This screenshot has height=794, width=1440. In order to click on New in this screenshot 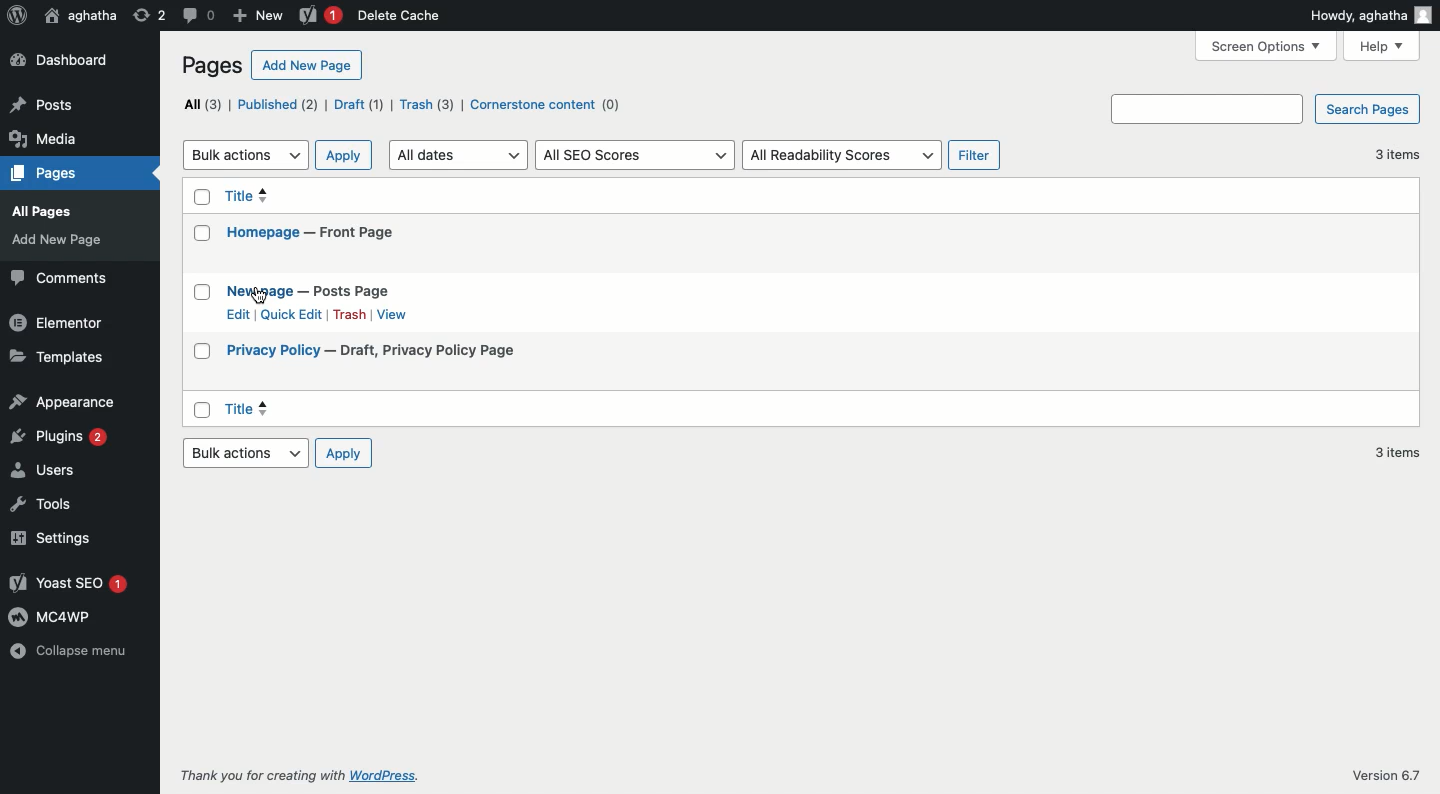, I will do `click(258, 13)`.